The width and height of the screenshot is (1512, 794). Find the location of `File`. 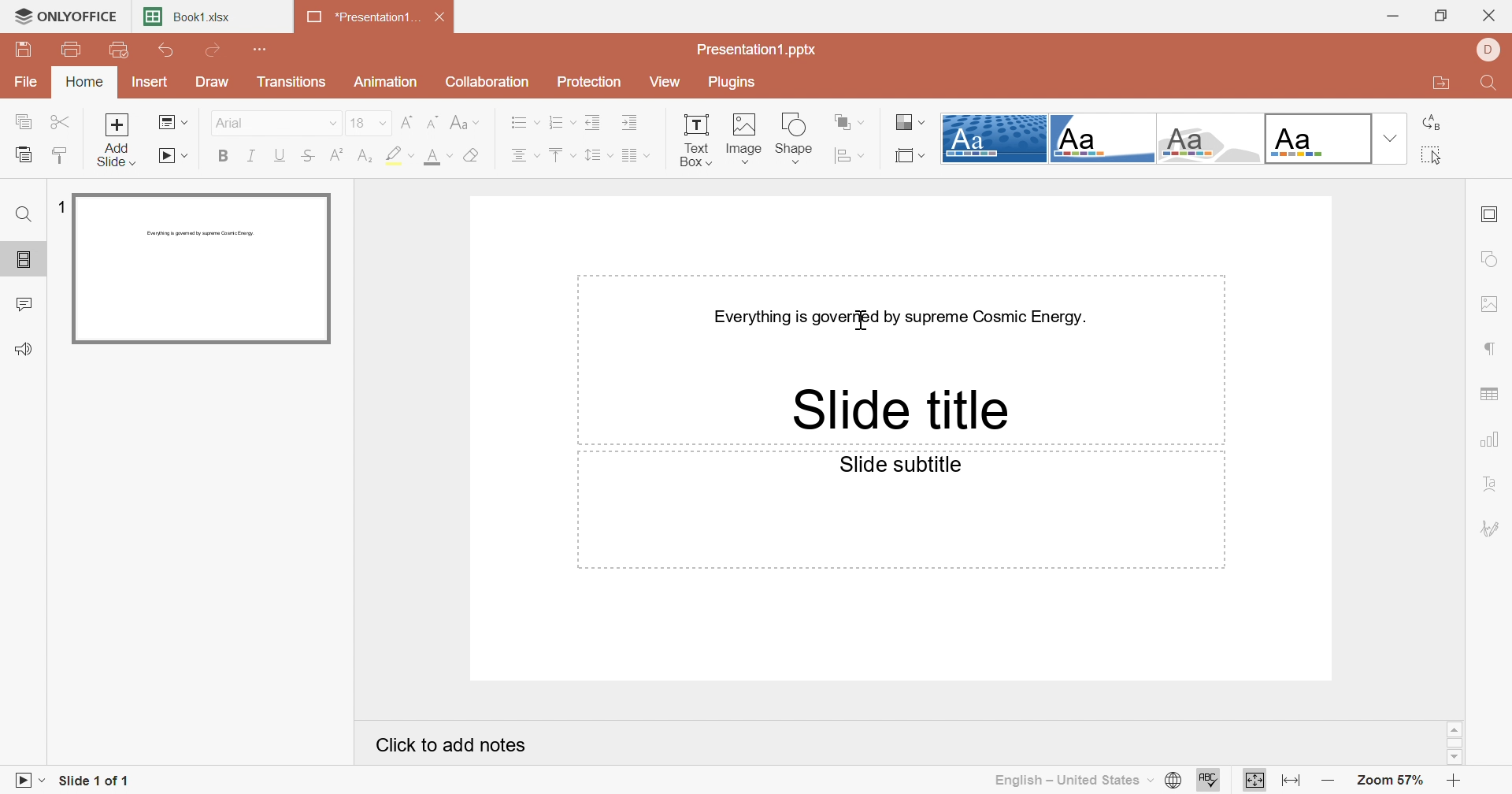

File is located at coordinates (24, 83).